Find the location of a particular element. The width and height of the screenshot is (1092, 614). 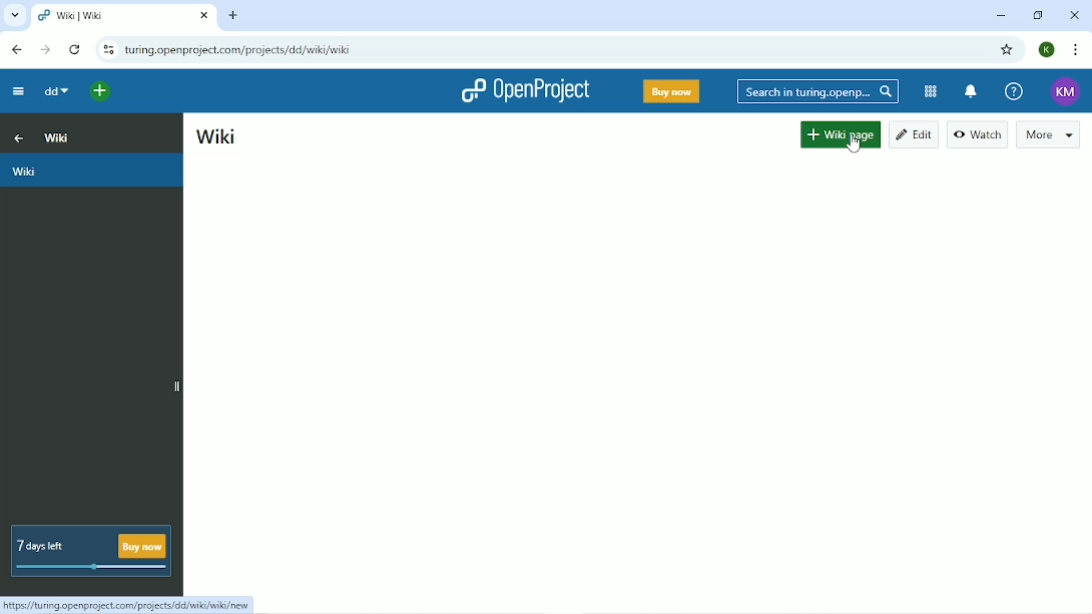

Back is located at coordinates (15, 49).